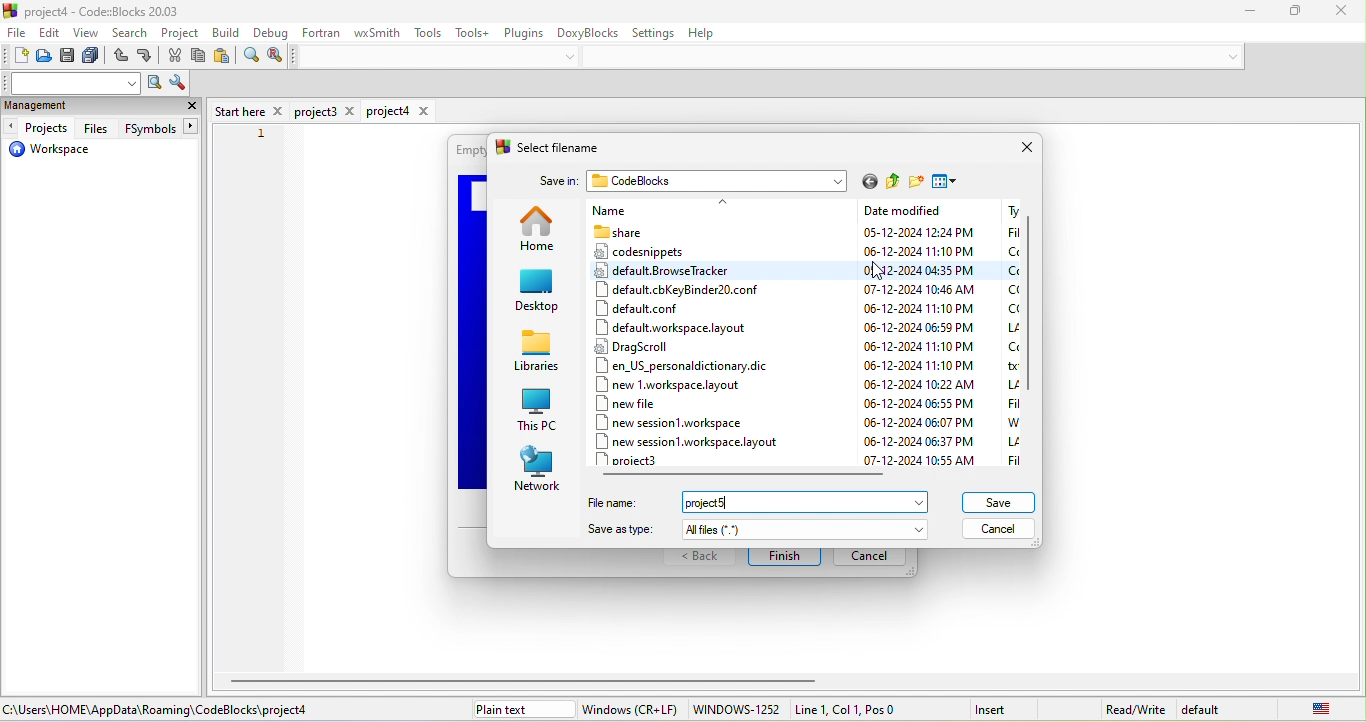 The image size is (1366, 722). What do you see at coordinates (701, 442) in the screenshot?
I see `new session 1 workspace layout` at bounding box center [701, 442].